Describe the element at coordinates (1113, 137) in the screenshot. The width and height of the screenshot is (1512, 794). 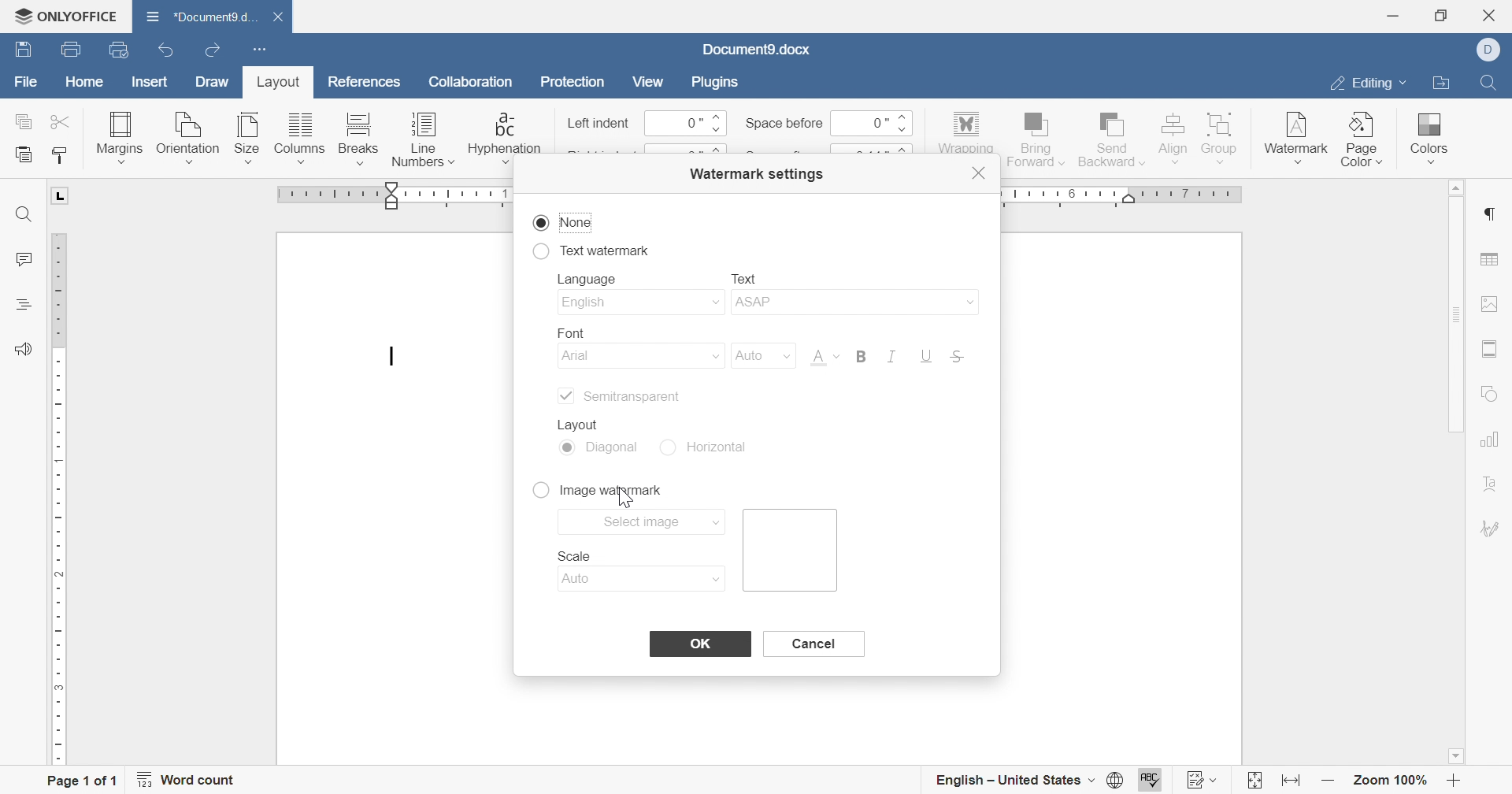
I see `send backward` at that location.